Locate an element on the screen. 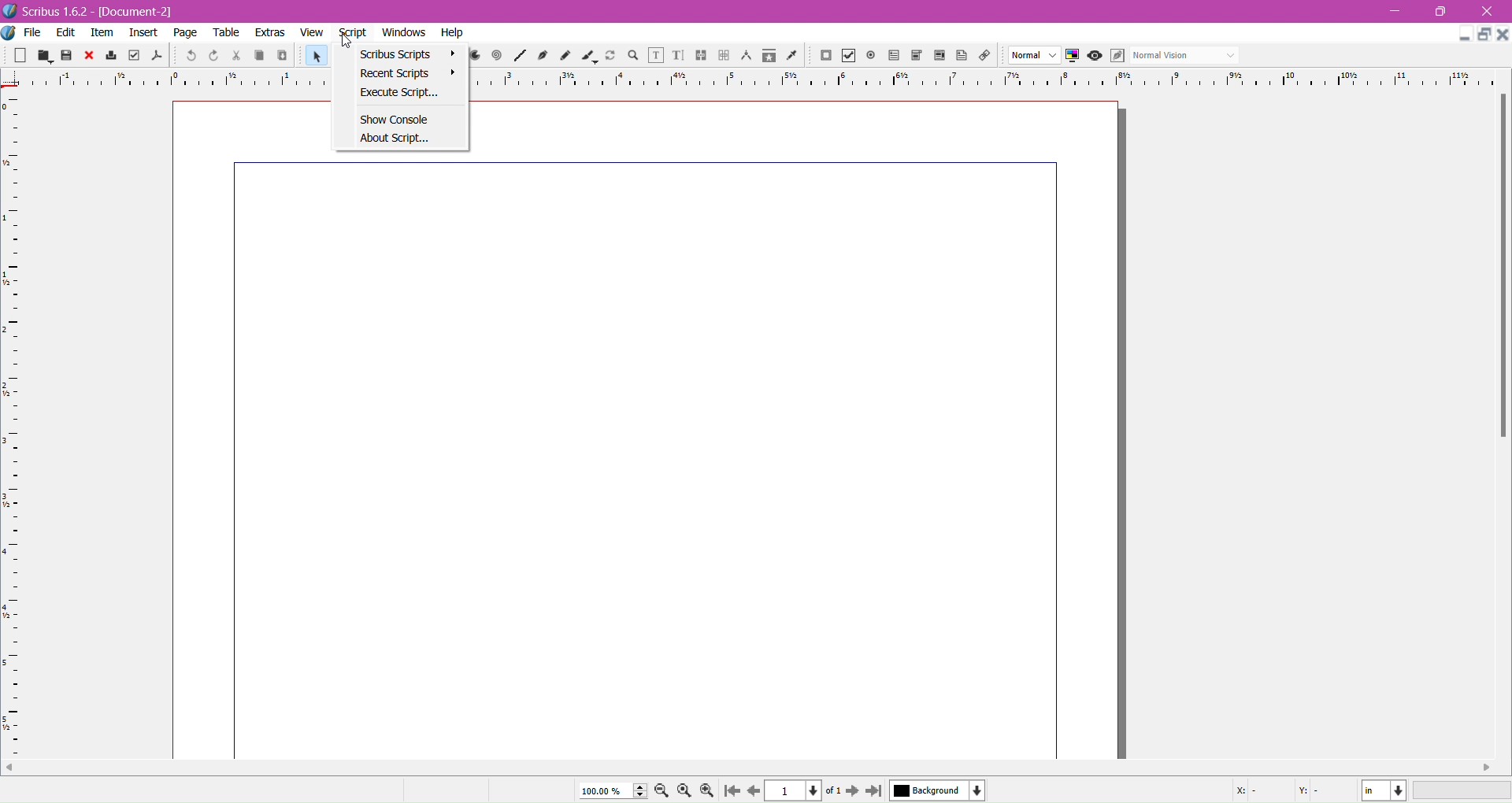 This screenshot has width=1512, height=803. Close is located at coordinates (1486, 12).